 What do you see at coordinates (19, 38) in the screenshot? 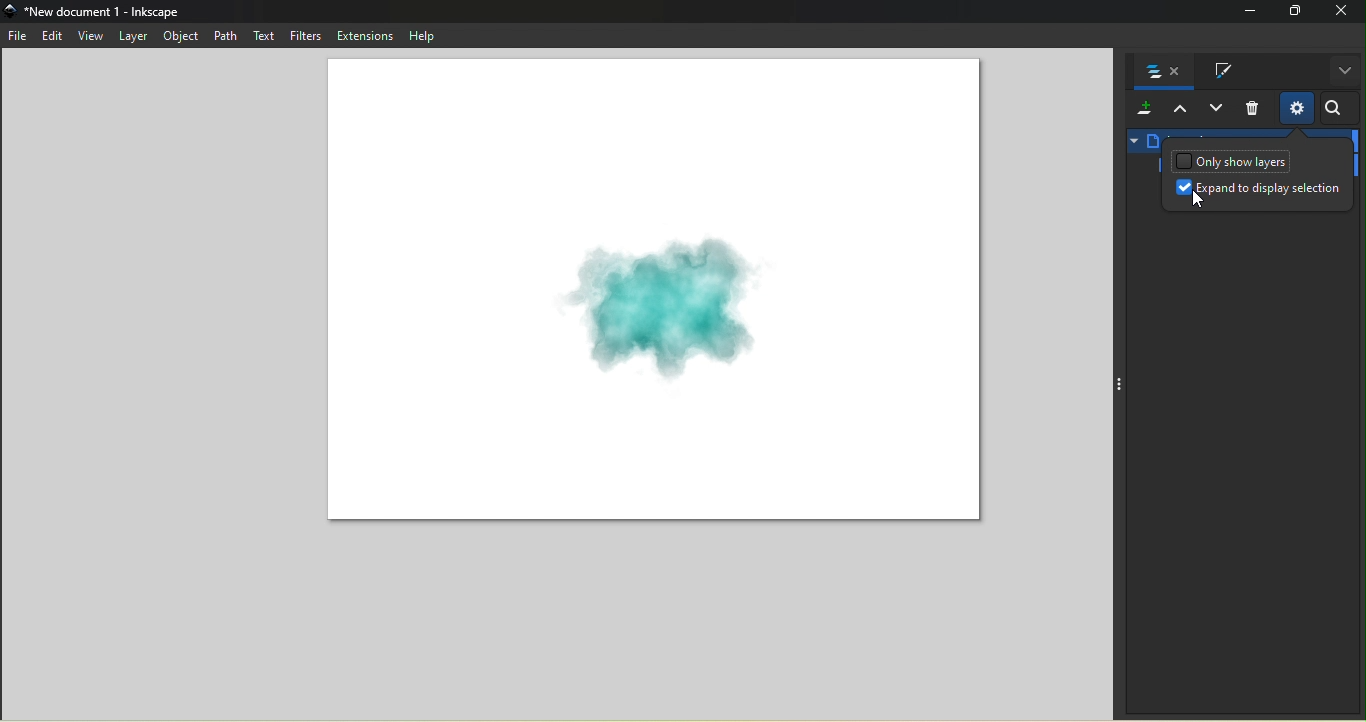
I see `File` at bounding box center [19, 38].